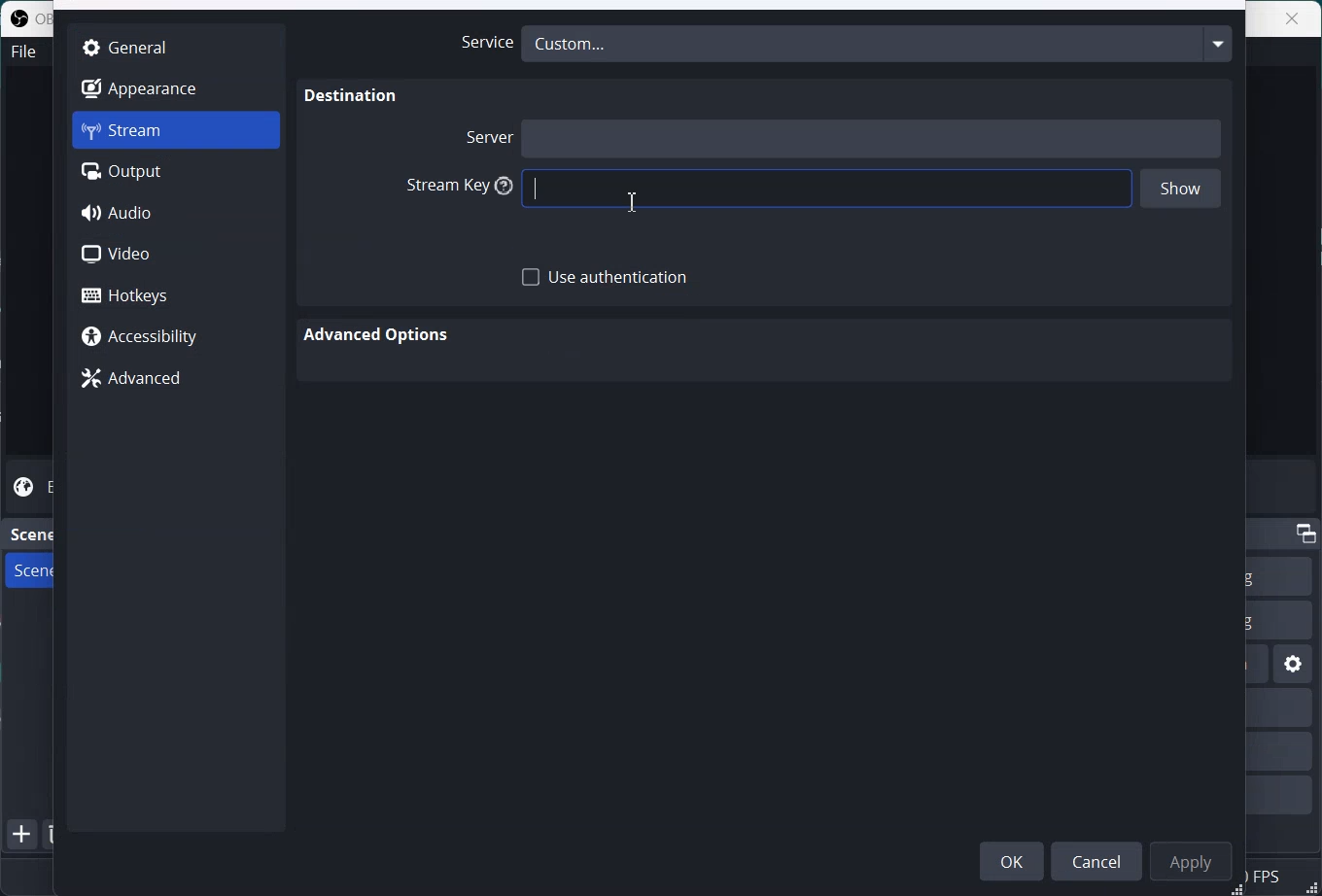  Describe the element at coordinates (606, 278) in the screenshot. I see `Use Authentication` at that location.